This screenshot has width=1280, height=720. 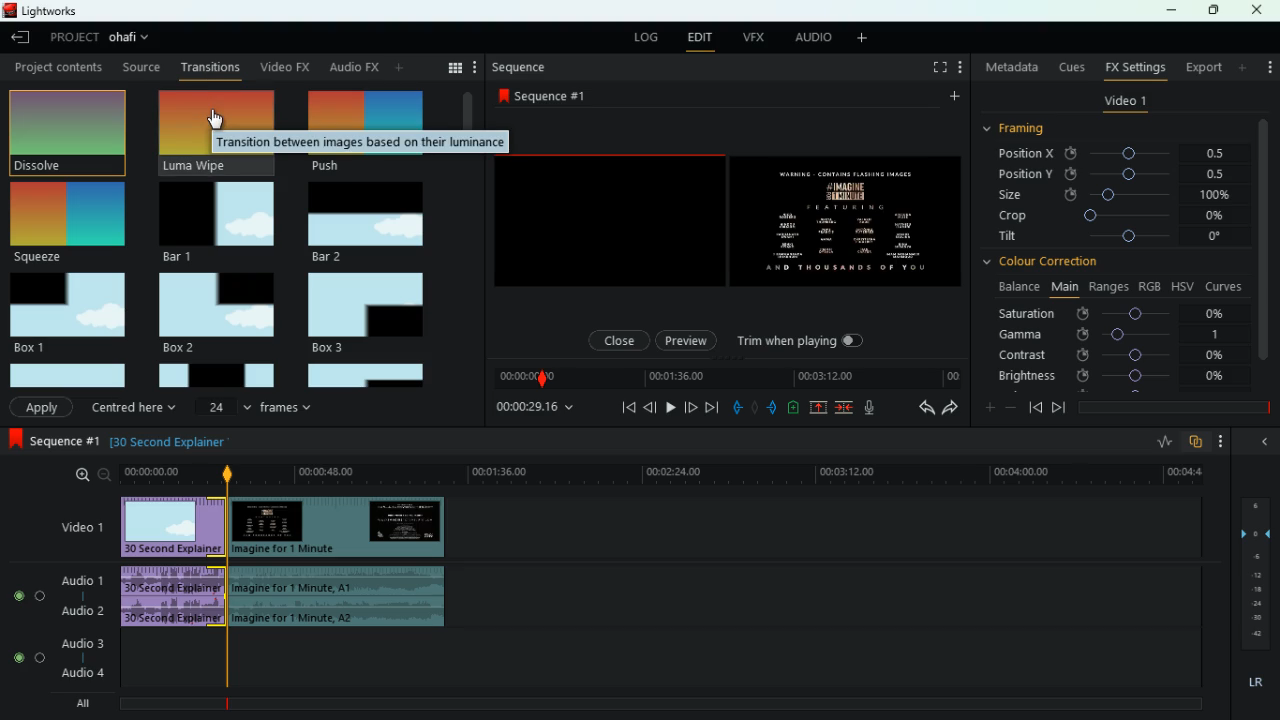 What do you see at coordinates (521, 67) in the screenshot?
I see `sequence` at bounding box center [521, 67].